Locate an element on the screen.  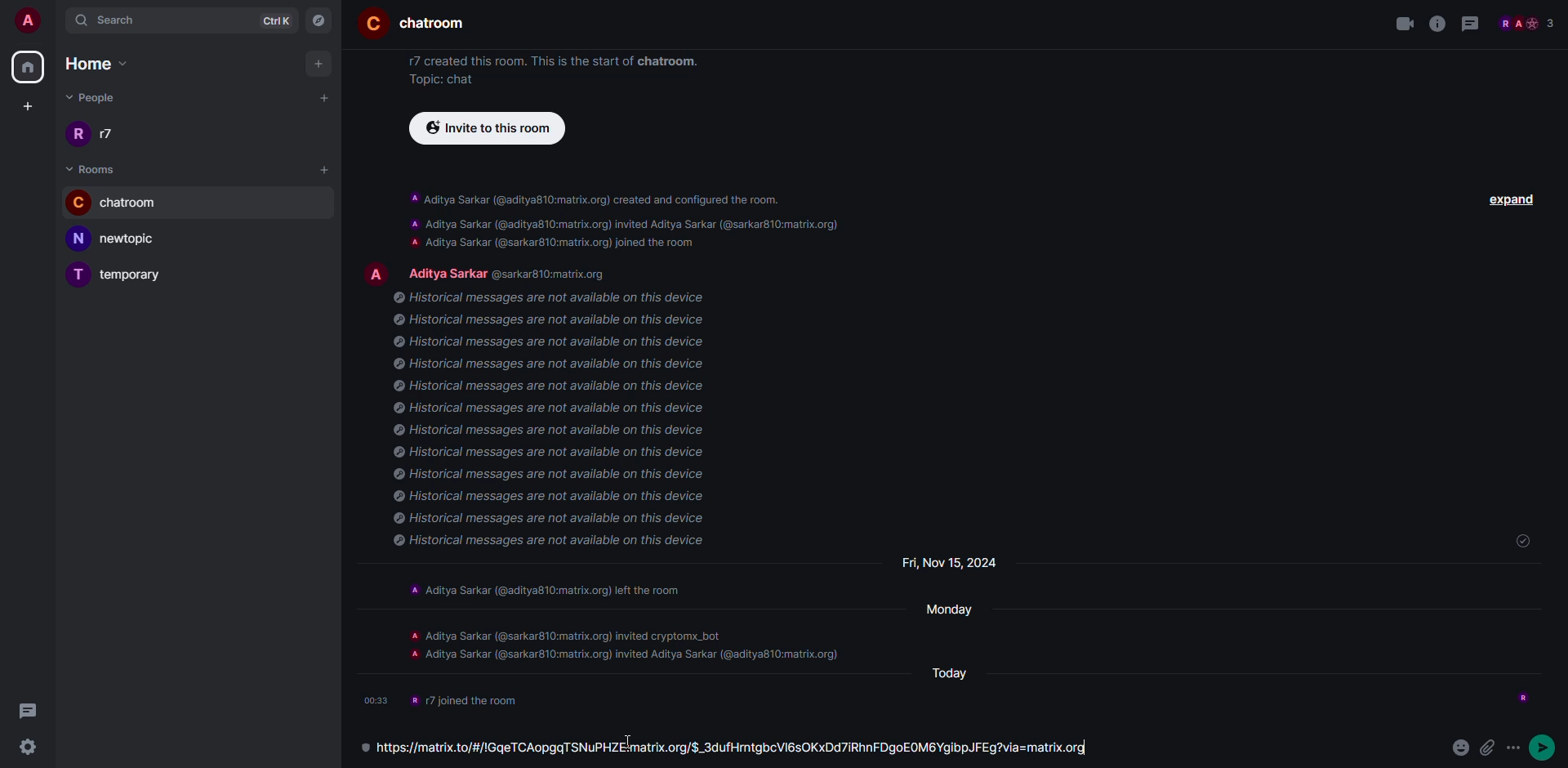
chatroom is located at coordinates (123, 201).